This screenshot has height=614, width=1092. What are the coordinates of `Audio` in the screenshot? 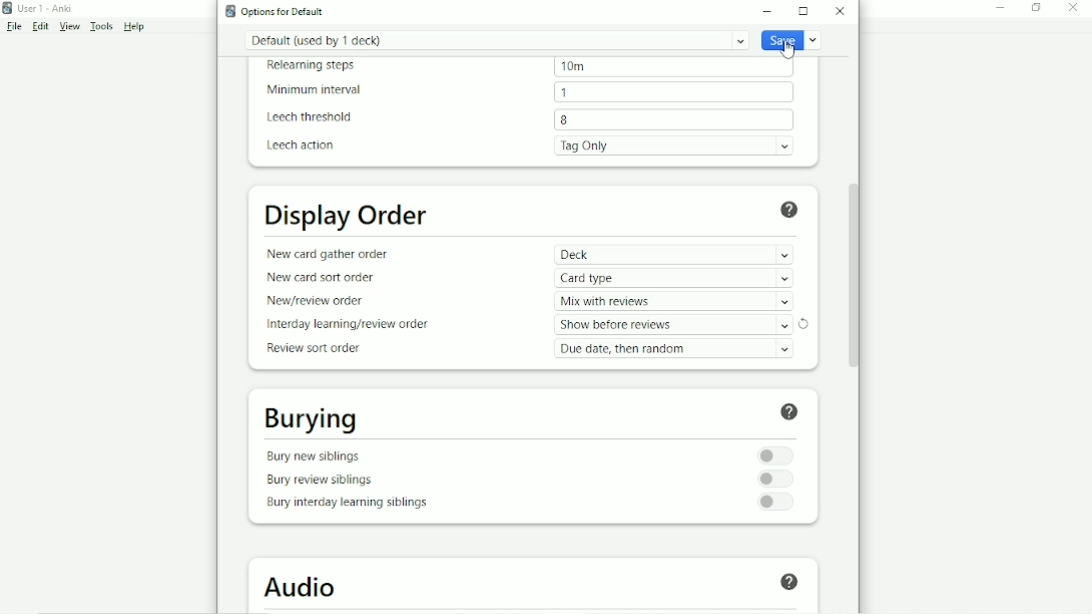 It's located at (302, 587).